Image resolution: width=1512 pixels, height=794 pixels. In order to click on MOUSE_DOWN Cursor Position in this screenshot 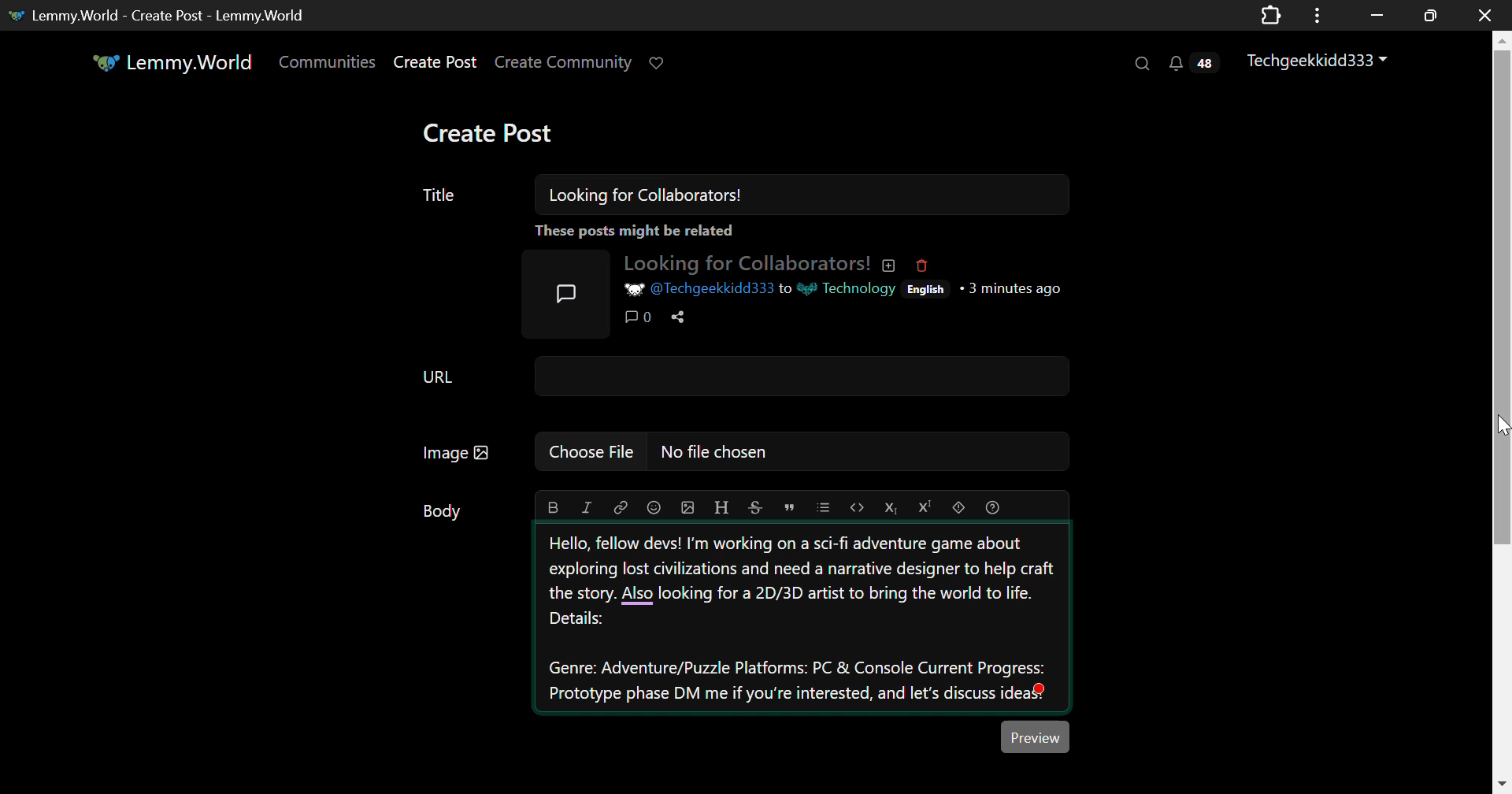, I will do `click(1503, 426)`.